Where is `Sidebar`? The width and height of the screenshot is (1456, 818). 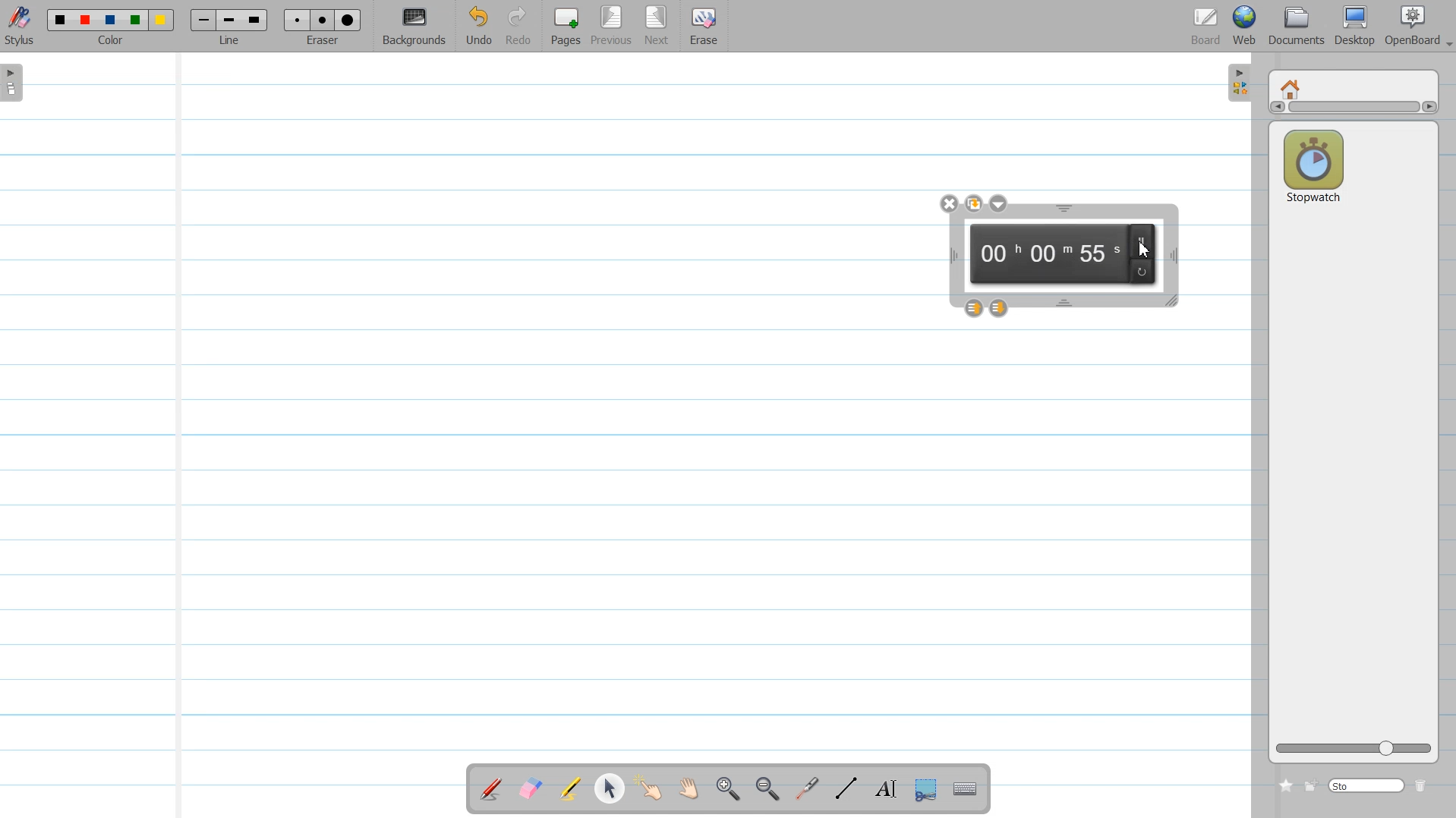
Sidebar is located at coordinates (17, 82).